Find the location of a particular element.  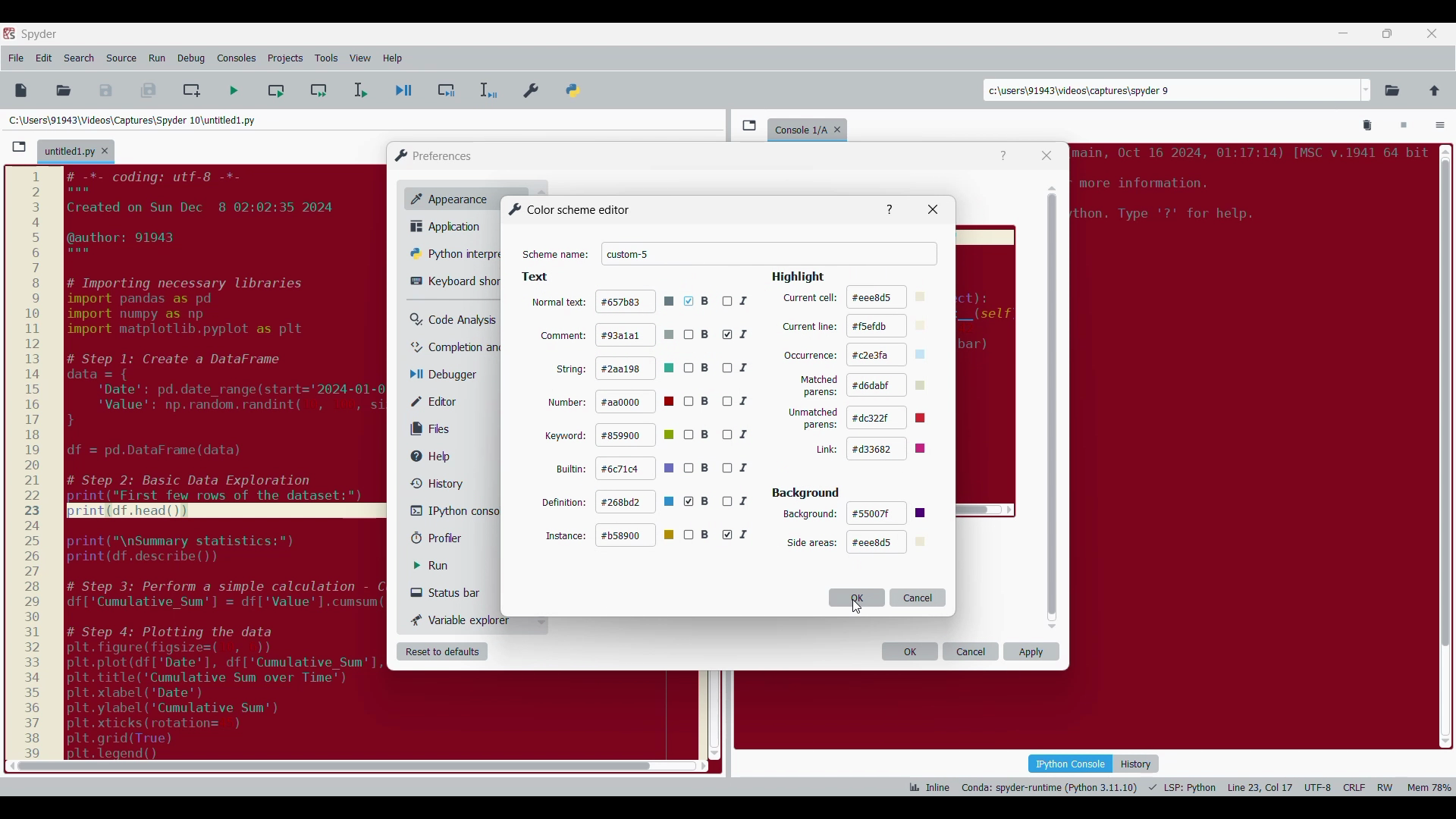

B is located at coordinates (698, 302).